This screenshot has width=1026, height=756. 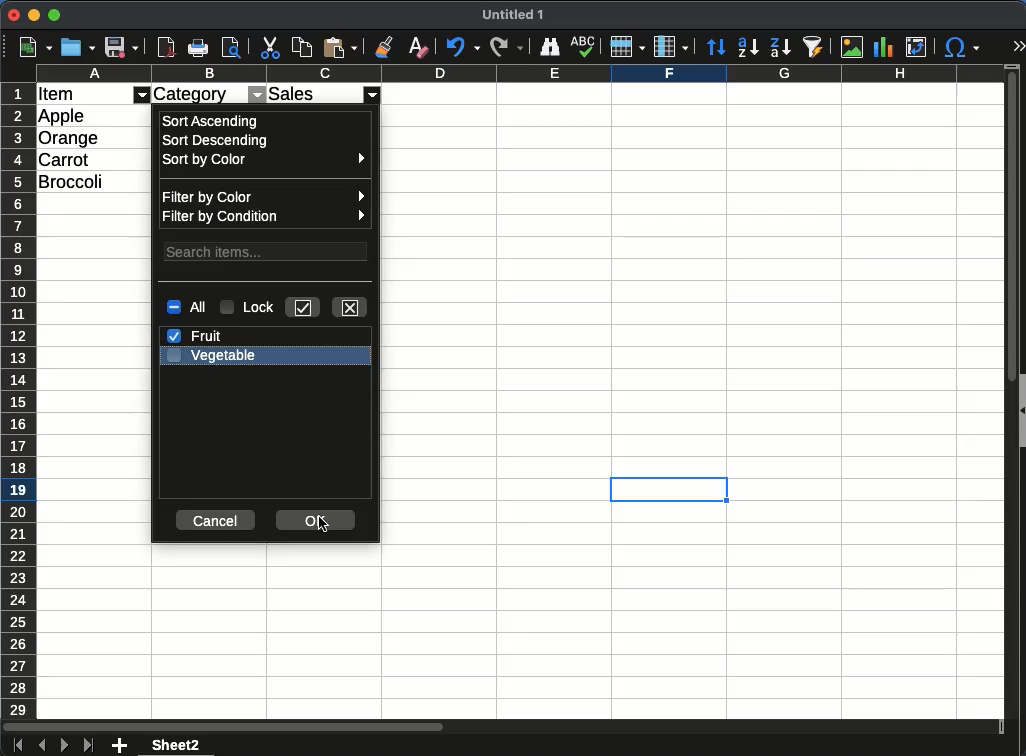 I want to click on image, so click(x=853, y=46).